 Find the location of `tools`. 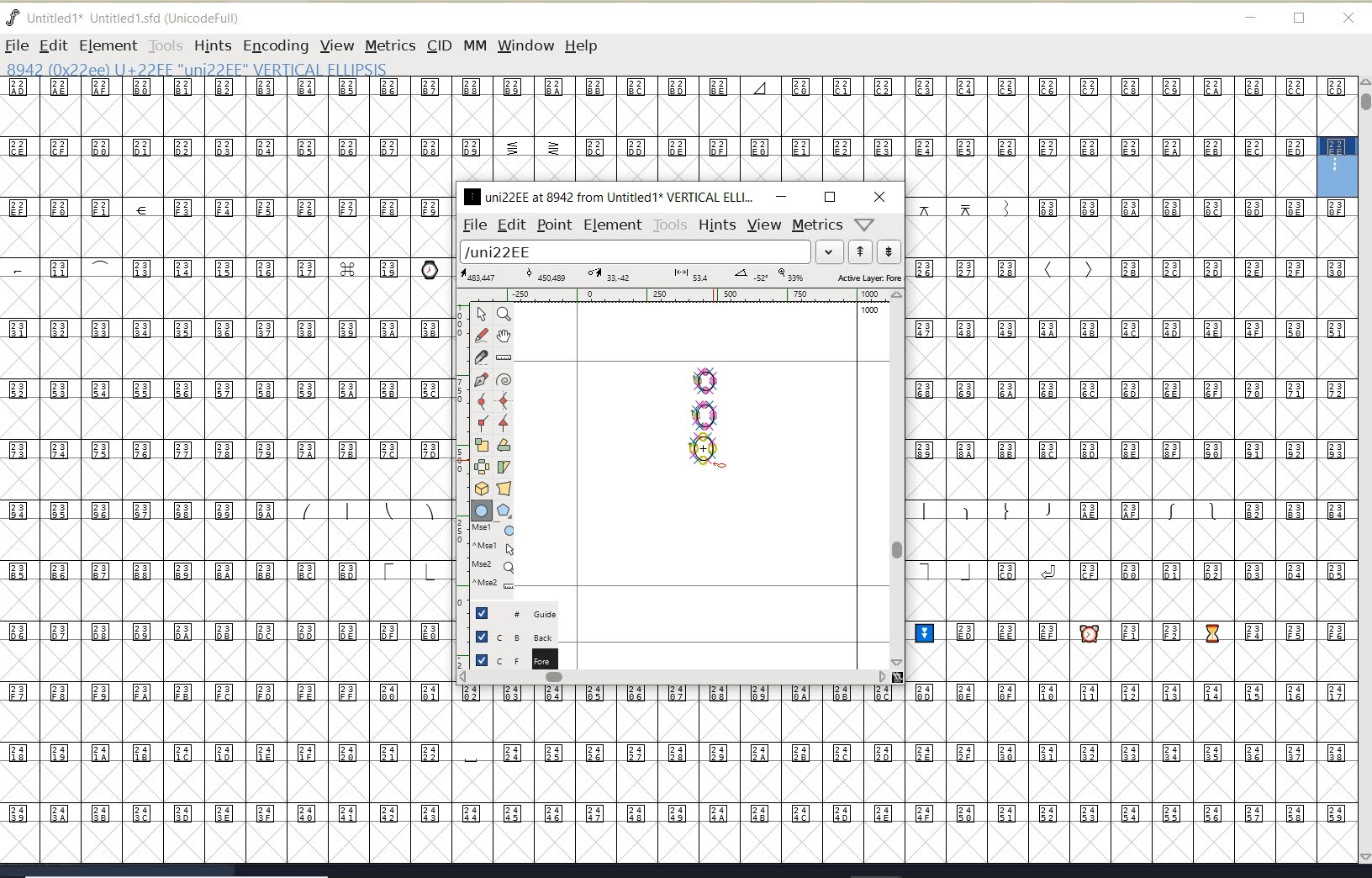

tools is located at coordinates (671, 225).